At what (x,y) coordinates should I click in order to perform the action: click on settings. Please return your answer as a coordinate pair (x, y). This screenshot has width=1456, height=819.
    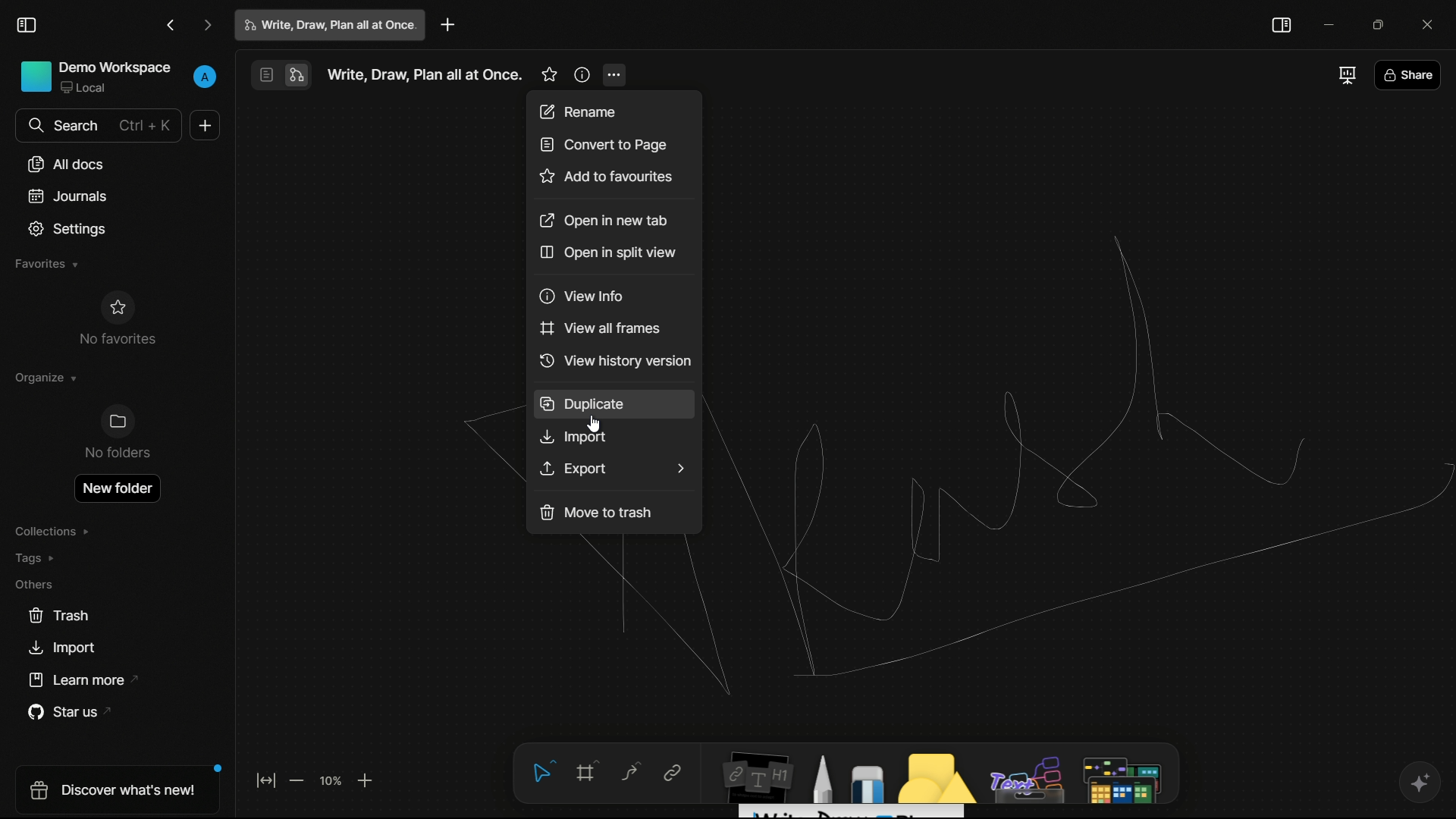
    Looking at the image, I should click on (67, 229).